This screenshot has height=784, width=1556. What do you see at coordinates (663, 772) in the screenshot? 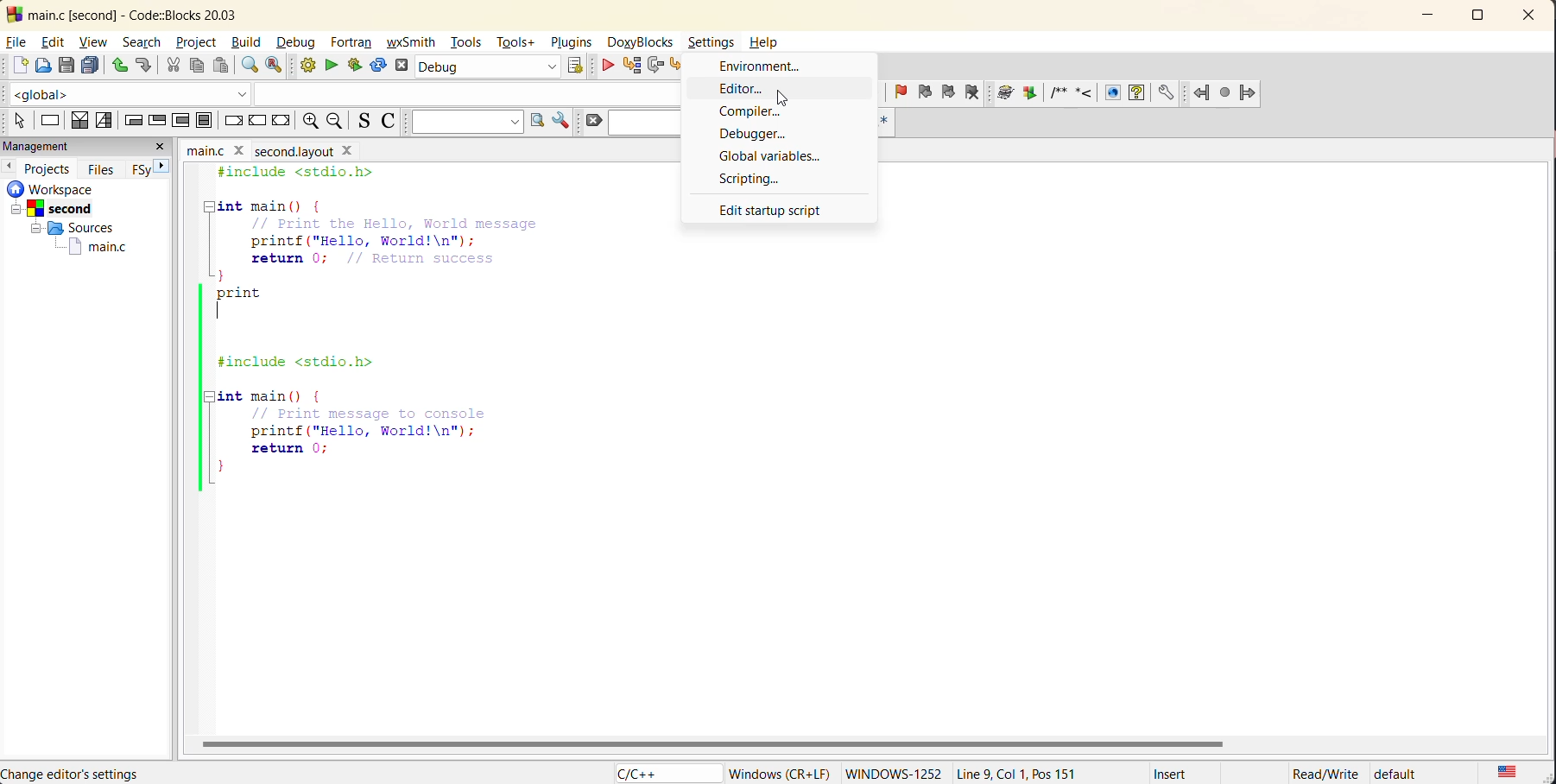
I see `language` at bounding box center [663, 772].